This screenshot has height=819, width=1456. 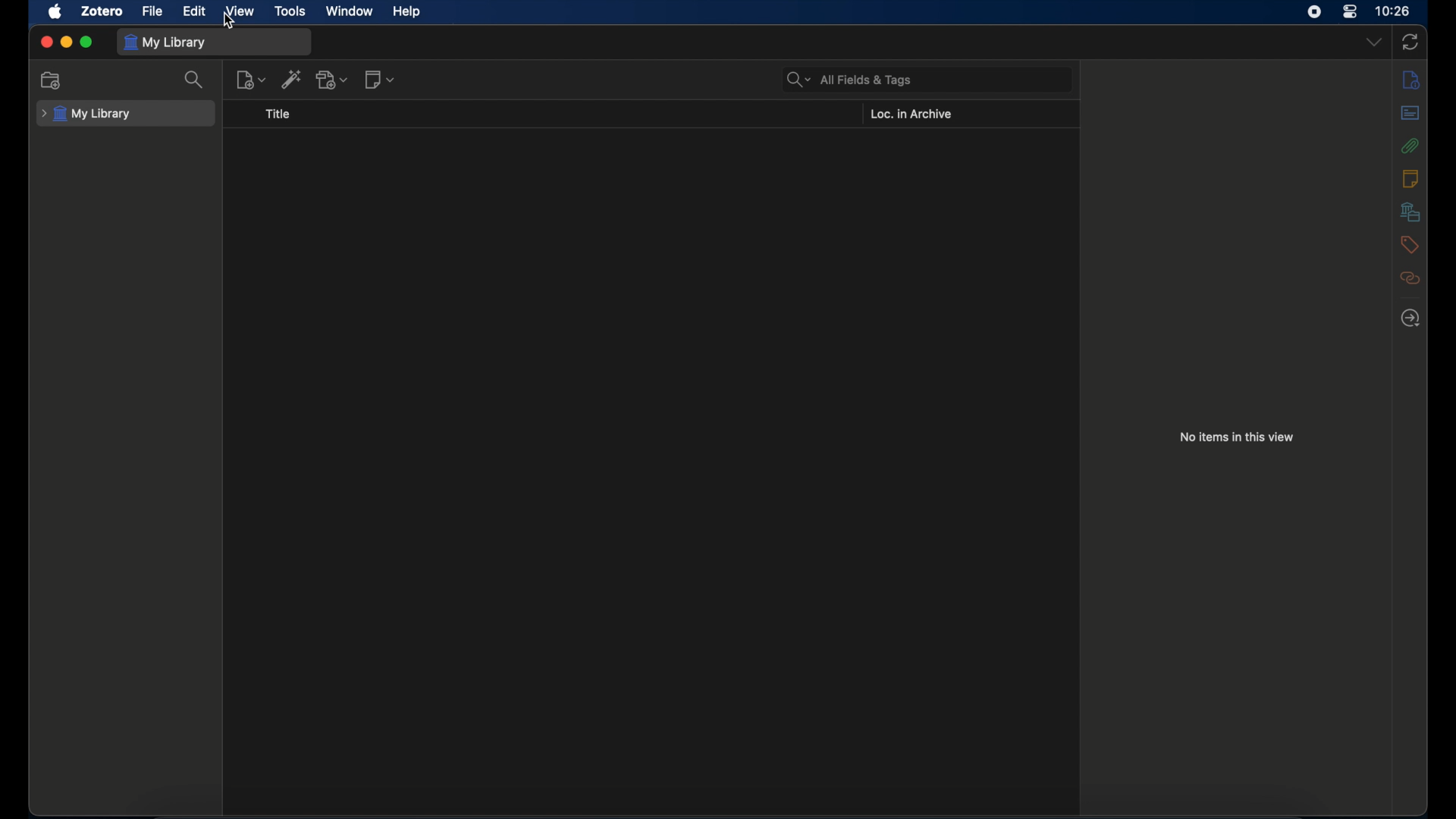 What do you see at coordinates (231, 23) in the screenshot?
I see `cursor` at bounding box center [231, 23].